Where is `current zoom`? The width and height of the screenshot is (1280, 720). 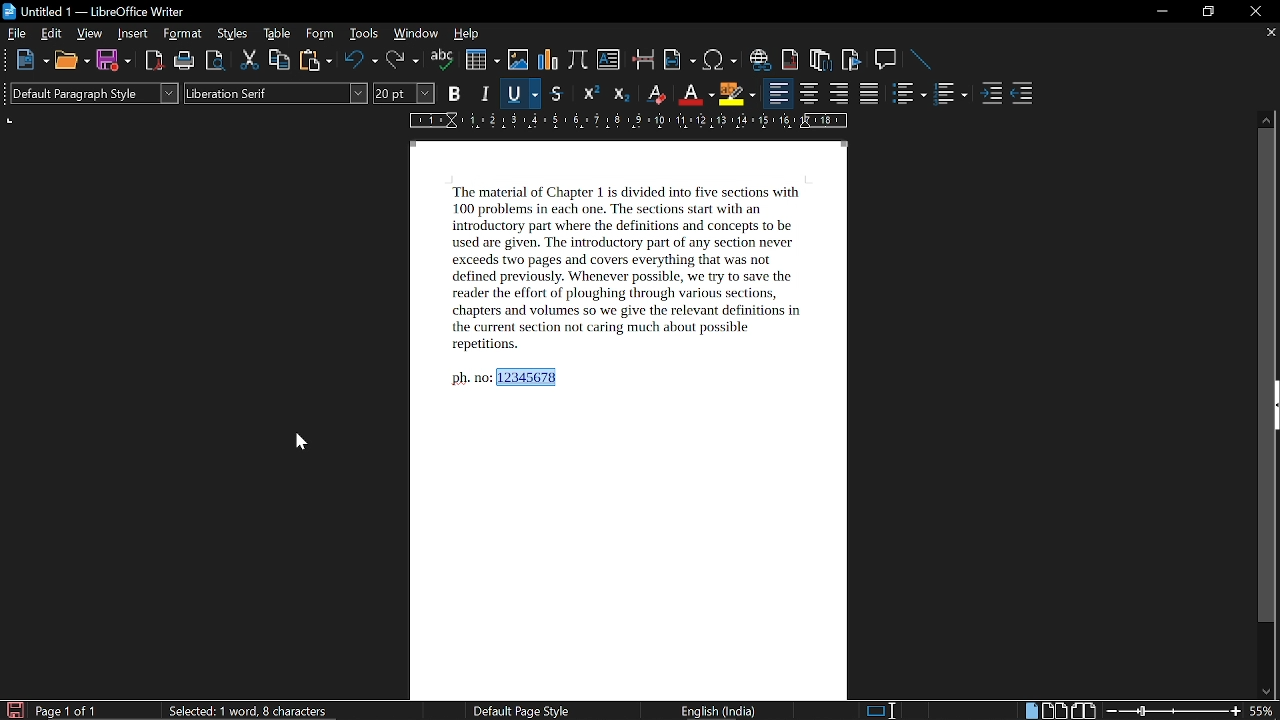 current zoom is located at coordinates (1264, 712).